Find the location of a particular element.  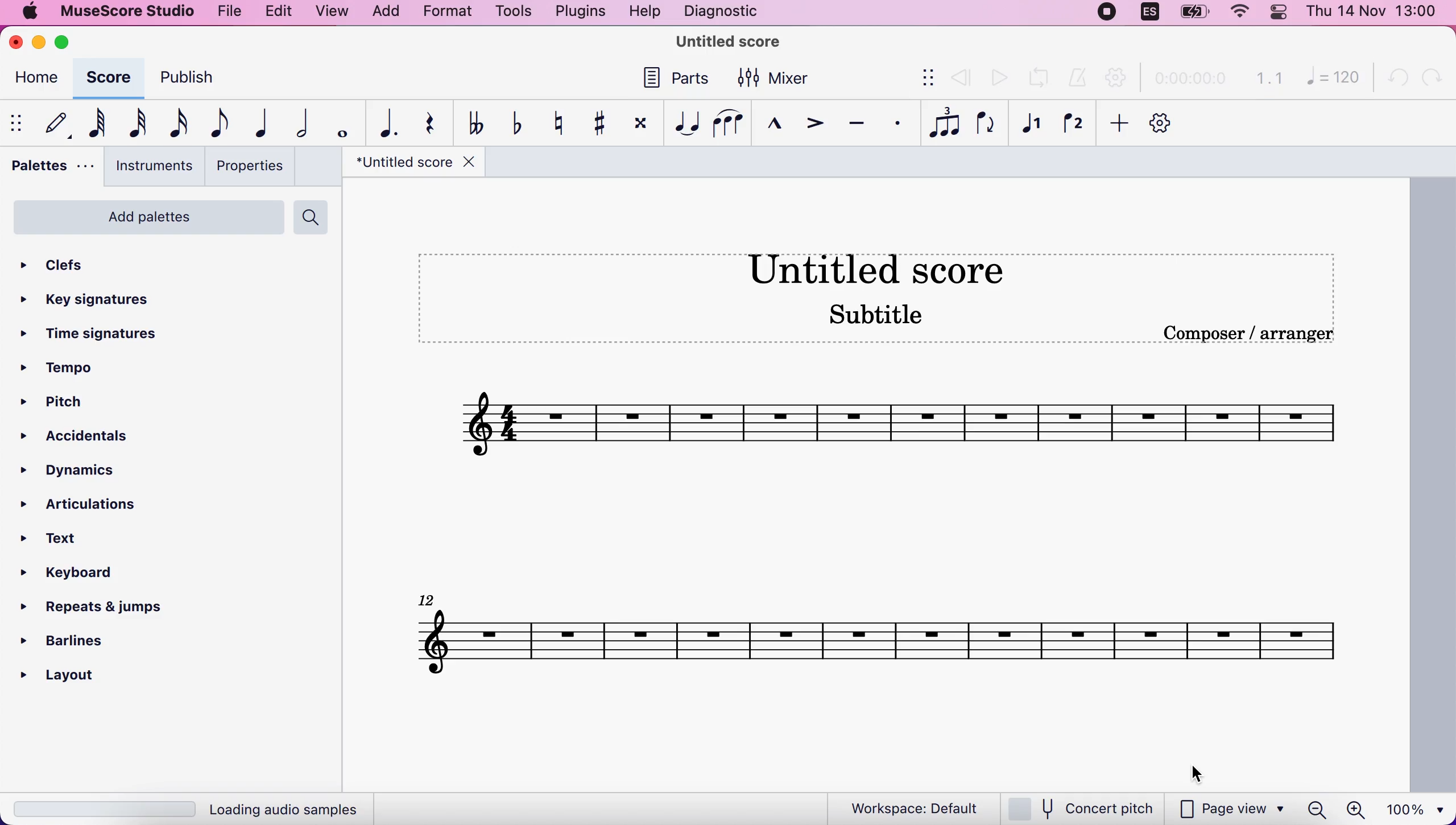

dynamics is located at coordinates (84, 472).